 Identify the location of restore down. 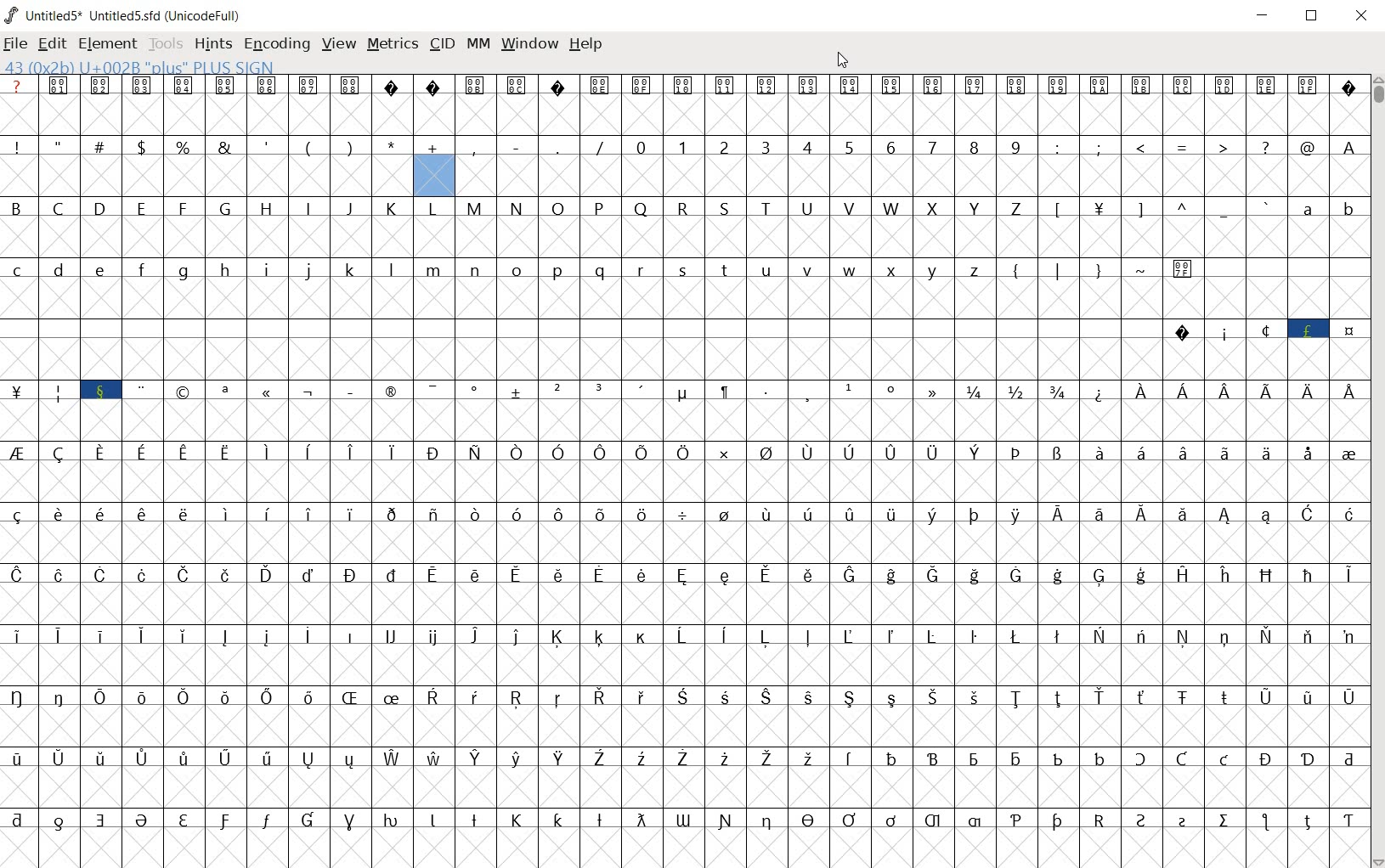
(1314, 16).